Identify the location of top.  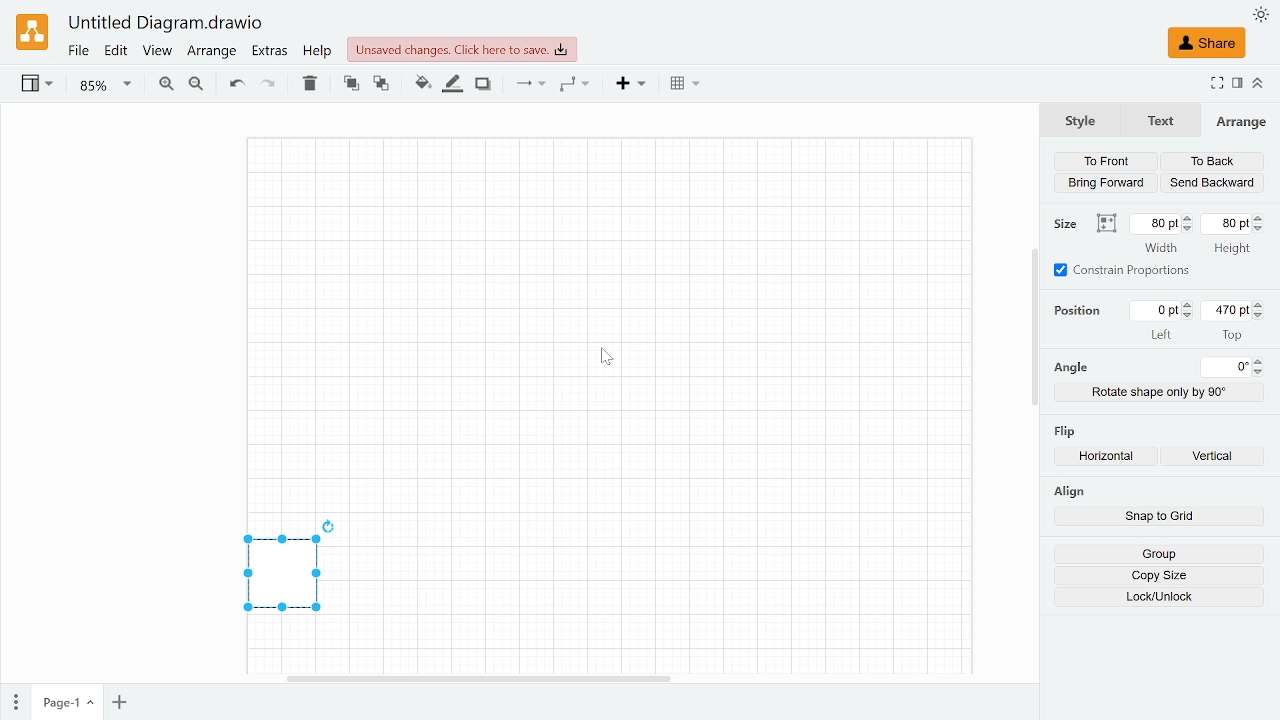
(1232, 334).